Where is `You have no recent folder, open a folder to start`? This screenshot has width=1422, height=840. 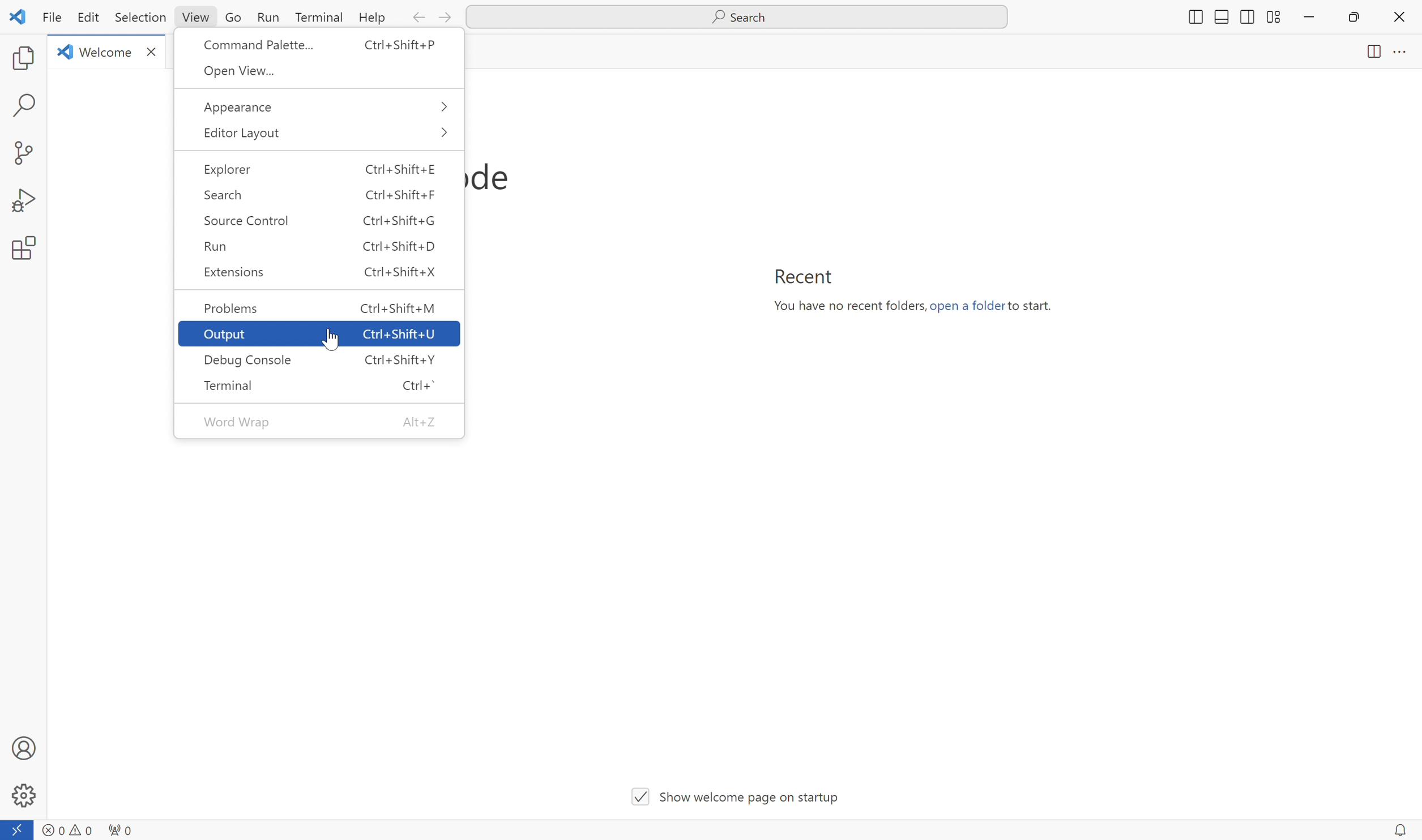 You have no recent folder, open a folder to start is located at coordinates (916, 304).